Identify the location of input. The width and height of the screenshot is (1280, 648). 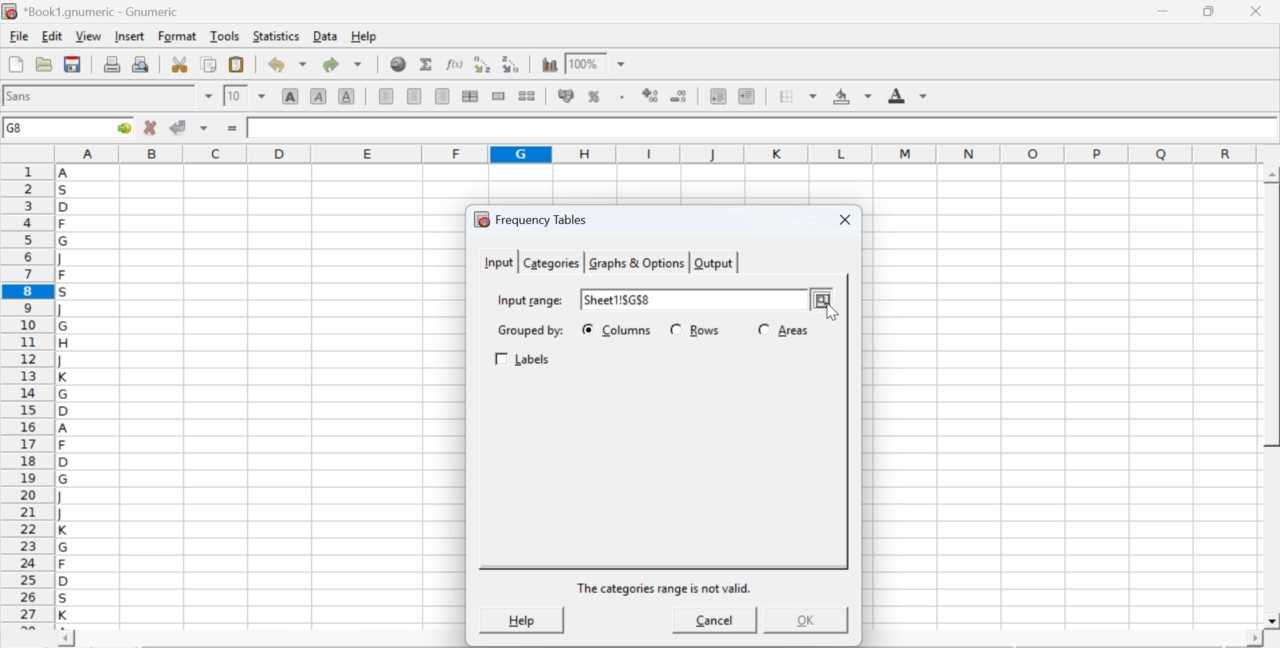
(497, 261).